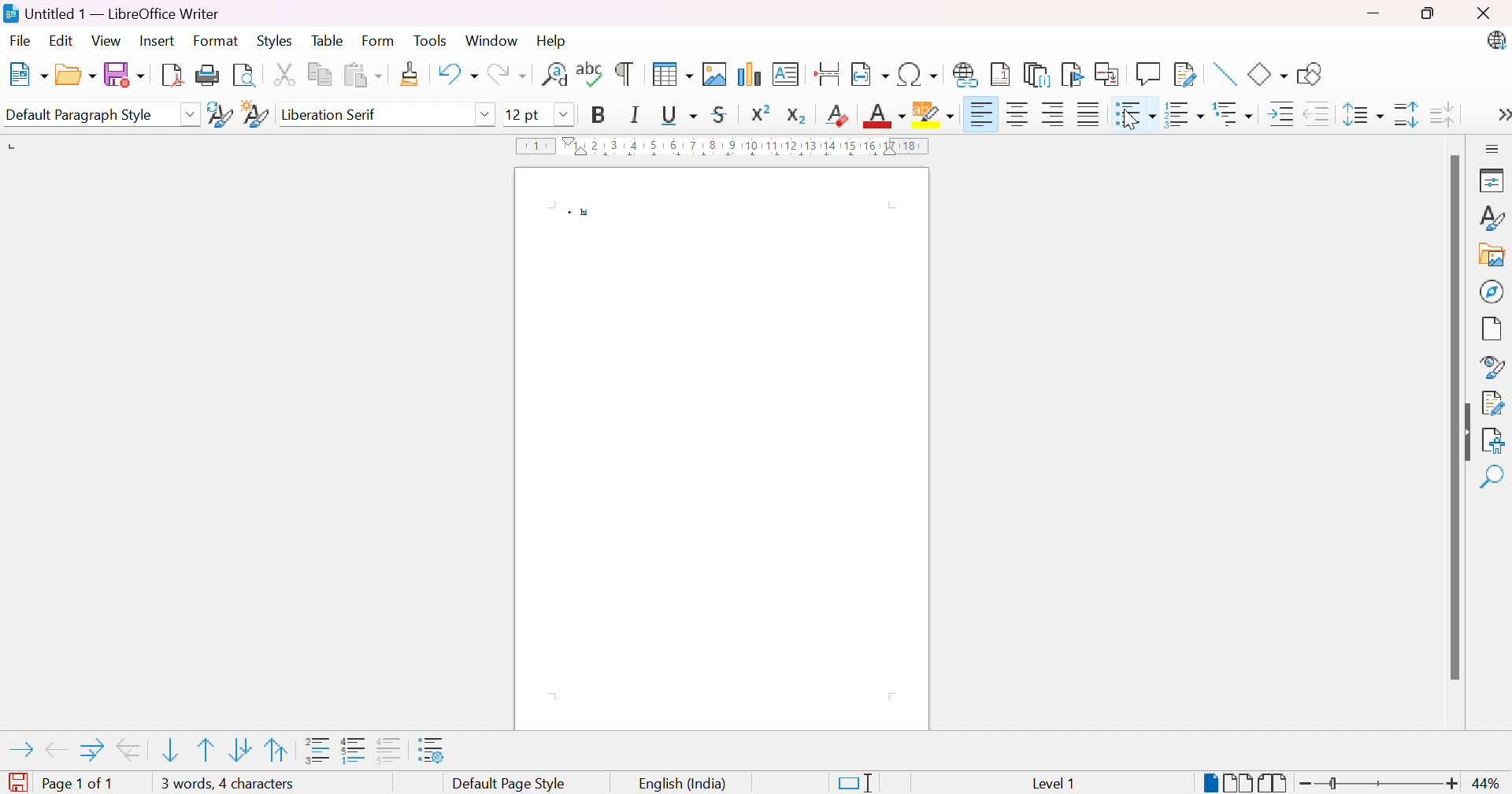 This screenshot has width=1512, height=794. What do you see at coordinates (1130, 121) in the screenshot?
I see `pointer cursor` at bounding box center [1130, 121].